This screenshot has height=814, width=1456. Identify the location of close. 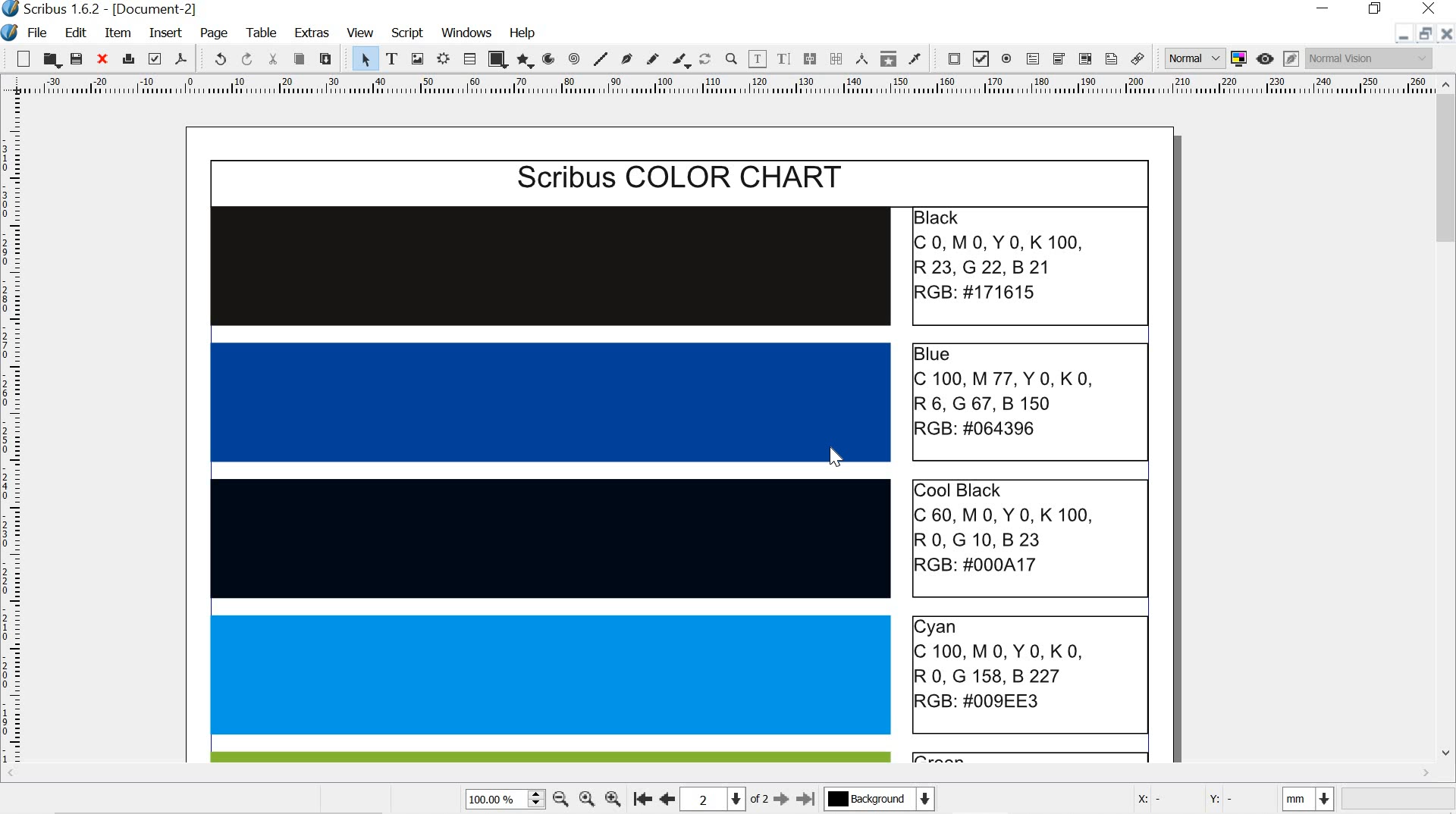
(1426, 8).